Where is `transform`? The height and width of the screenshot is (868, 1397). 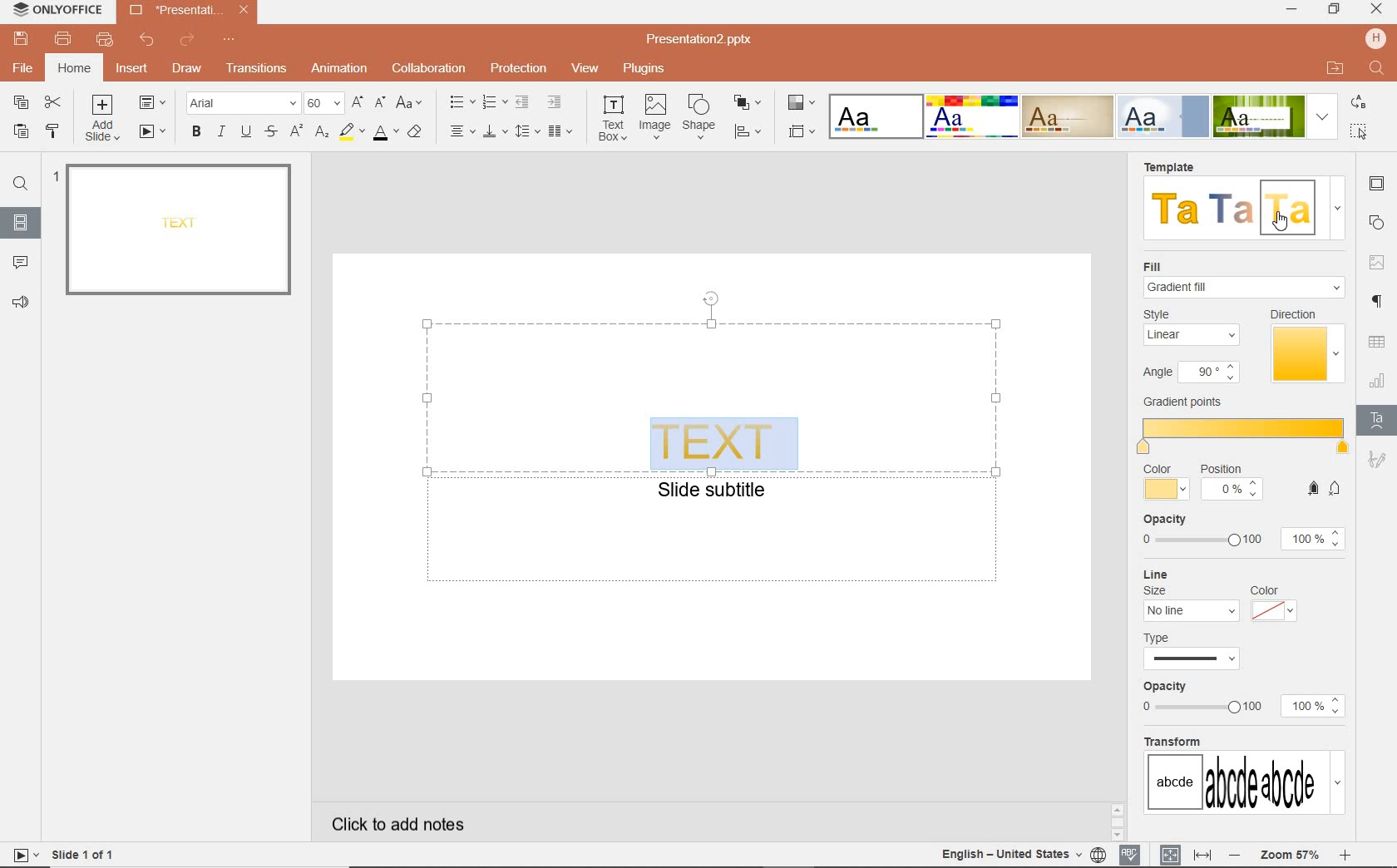 transform is located at coordinates (1248, 775).